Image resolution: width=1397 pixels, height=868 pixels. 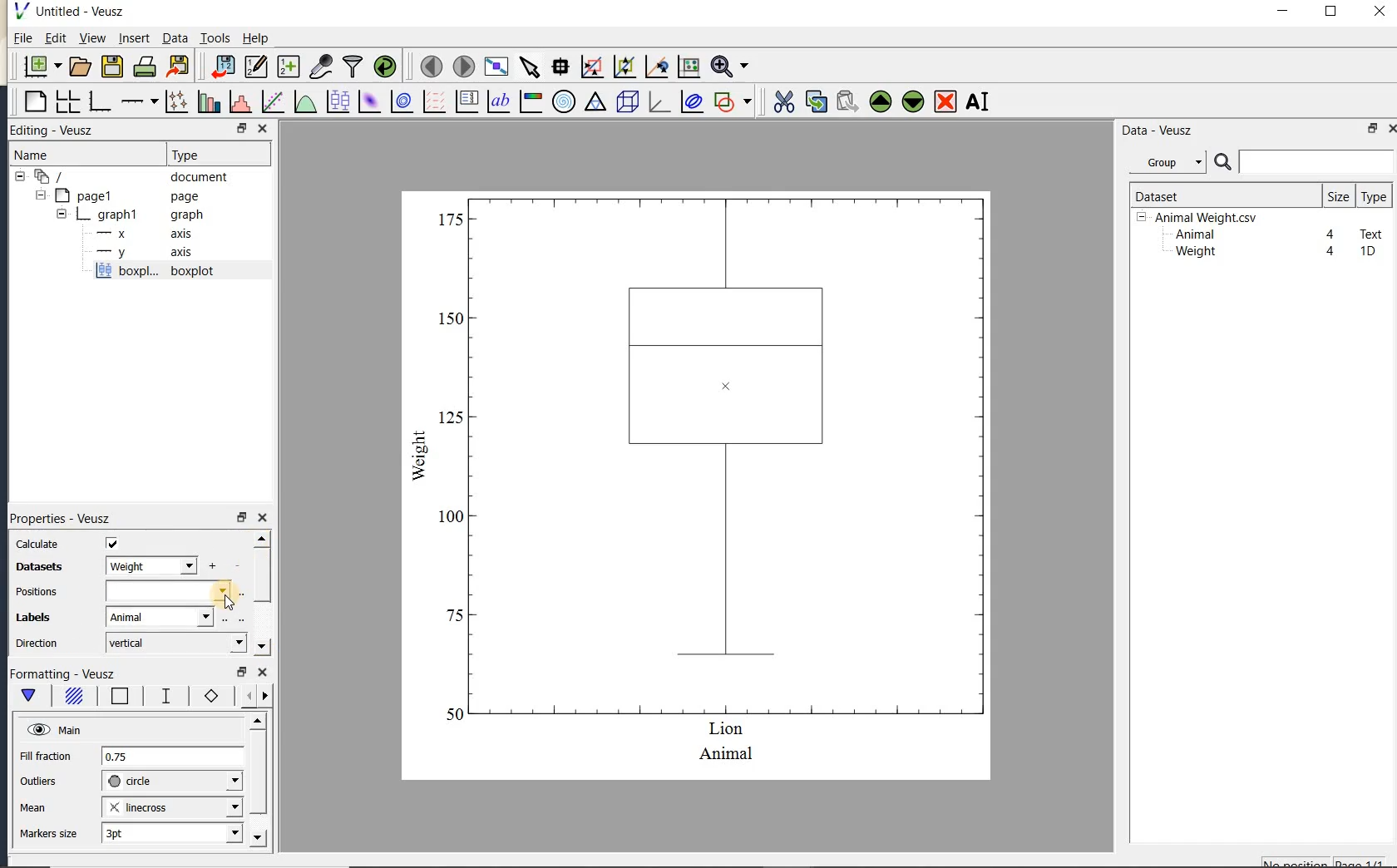 What do you see at coordinates (215, 153) in the screenshot?
I see `Type` at bounding box center [215, 153].